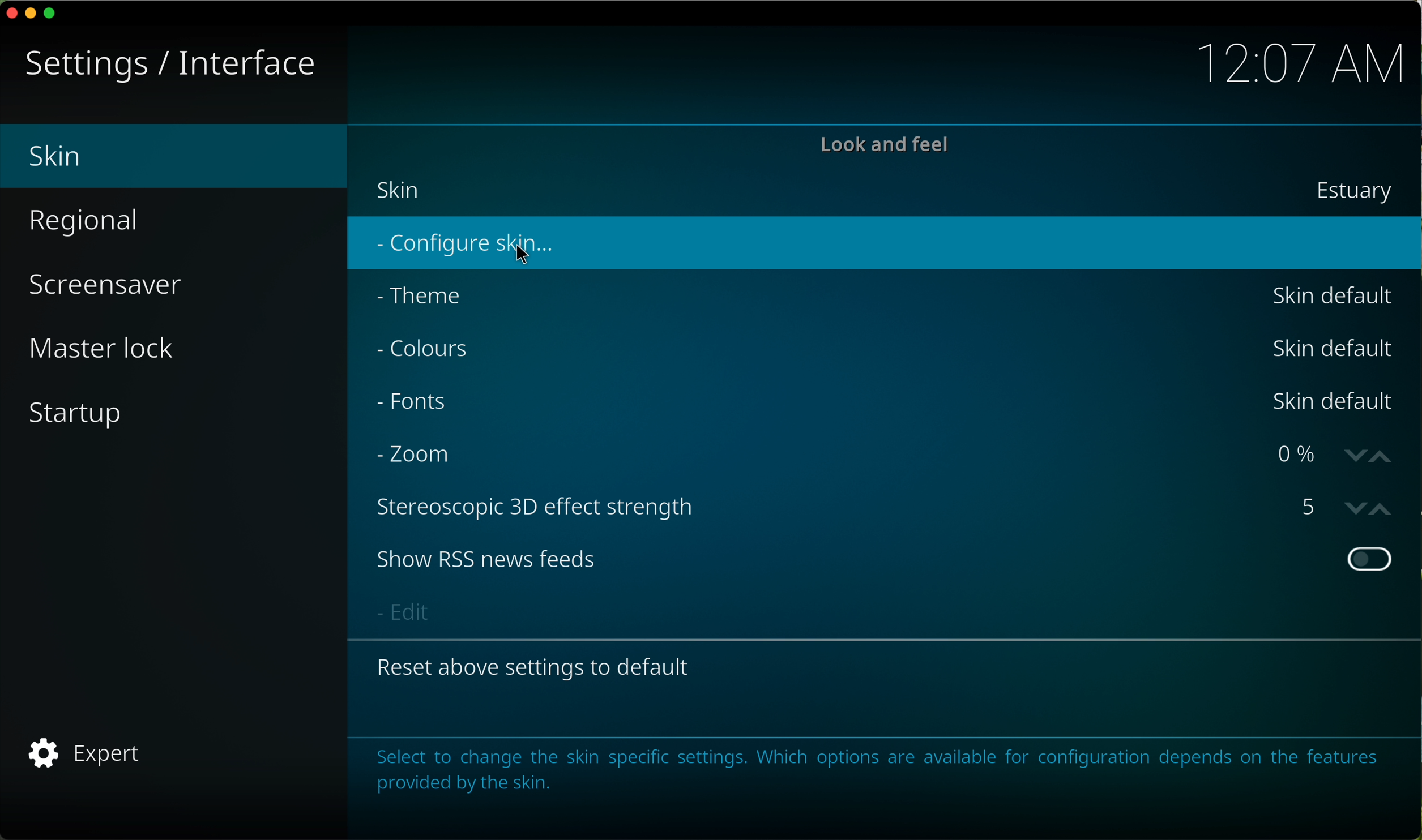 This screenshot has width=1422, height=840. I want to click on arrows, so click(1369, 457).